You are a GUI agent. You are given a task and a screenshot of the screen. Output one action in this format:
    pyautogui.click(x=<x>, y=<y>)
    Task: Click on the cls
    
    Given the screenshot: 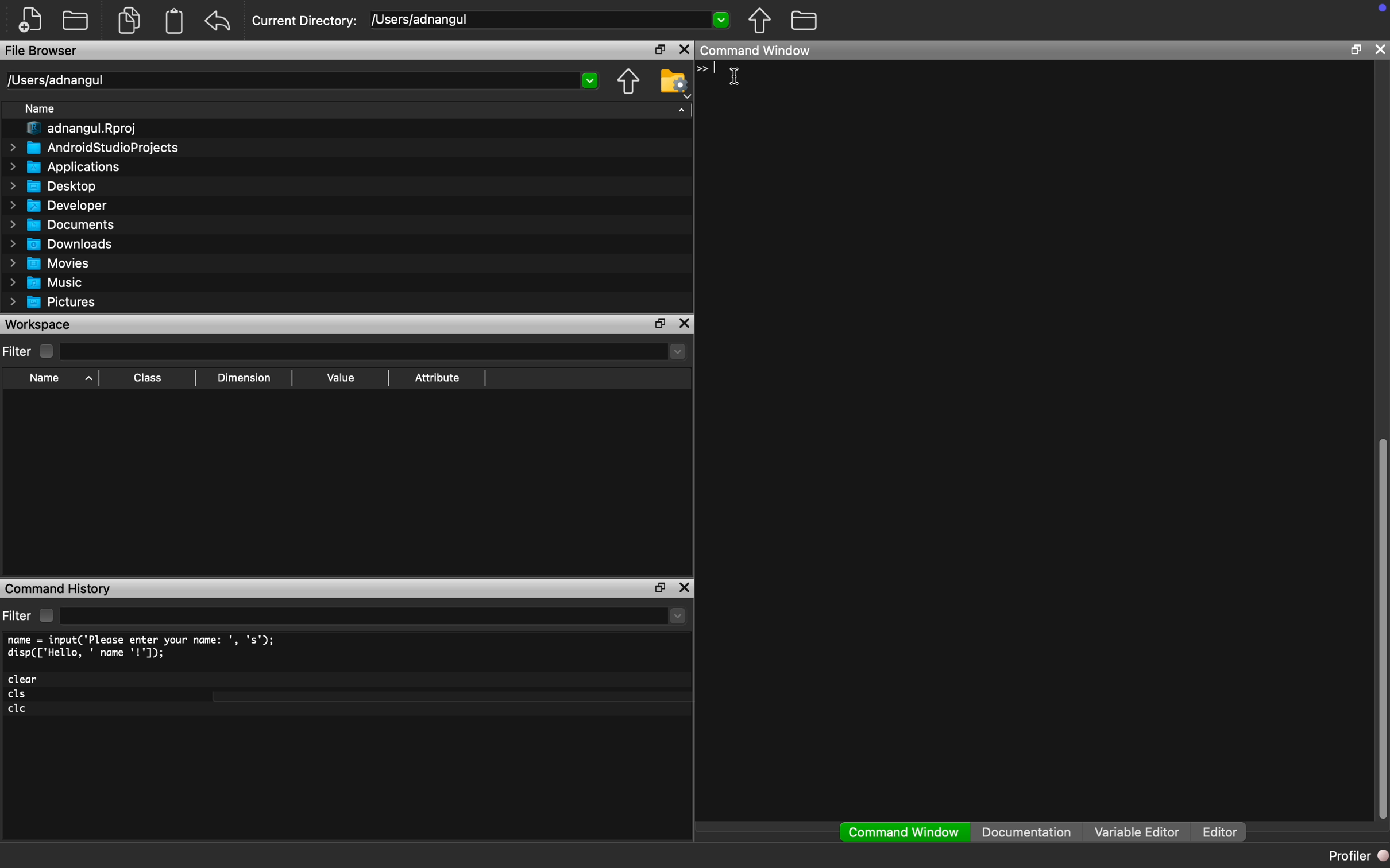 What is the action you would take?
    pyautogui.click(x=18, y=695)
    